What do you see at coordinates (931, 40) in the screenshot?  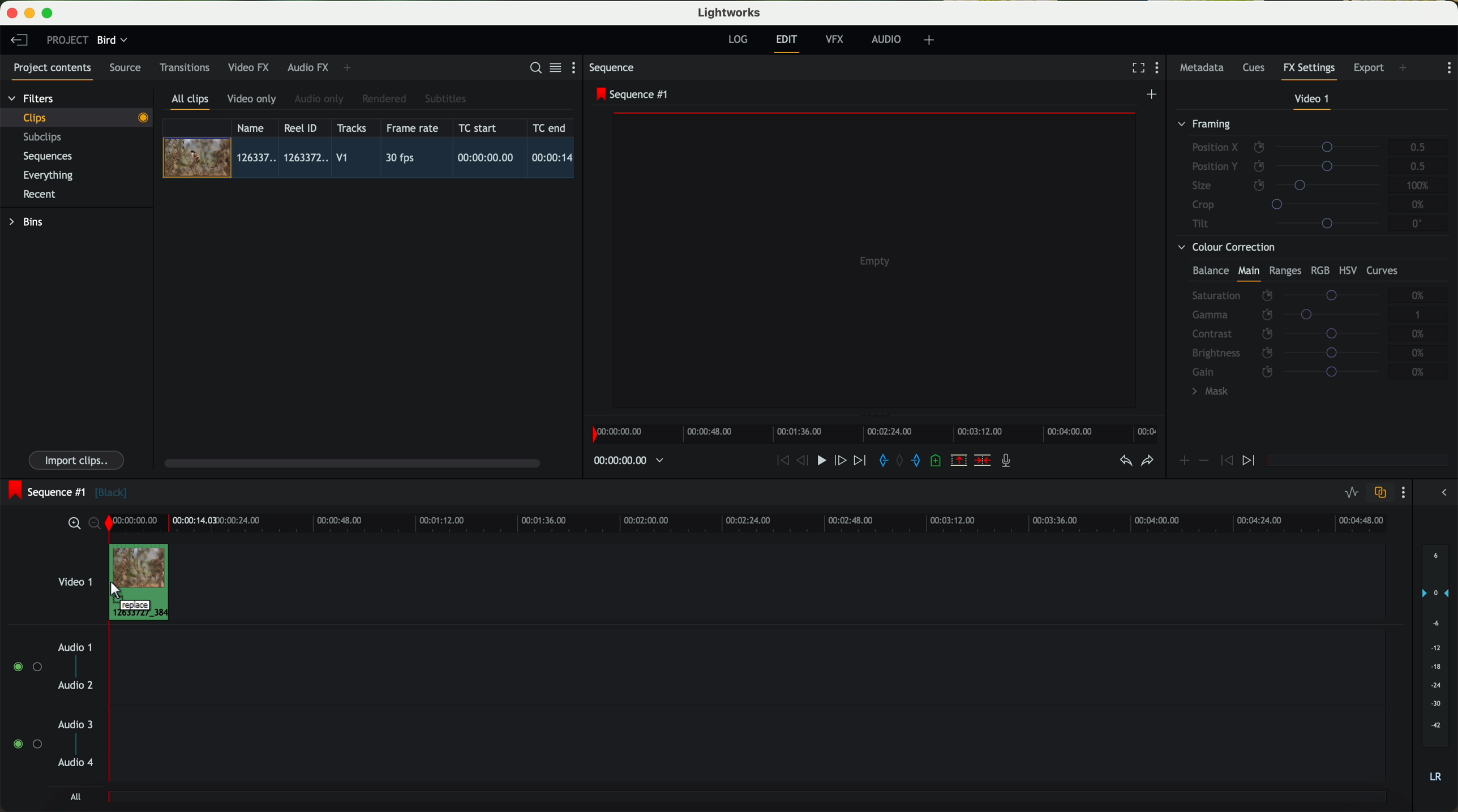 I see `add, remove and create layouts` at bounding box center [931, 40].